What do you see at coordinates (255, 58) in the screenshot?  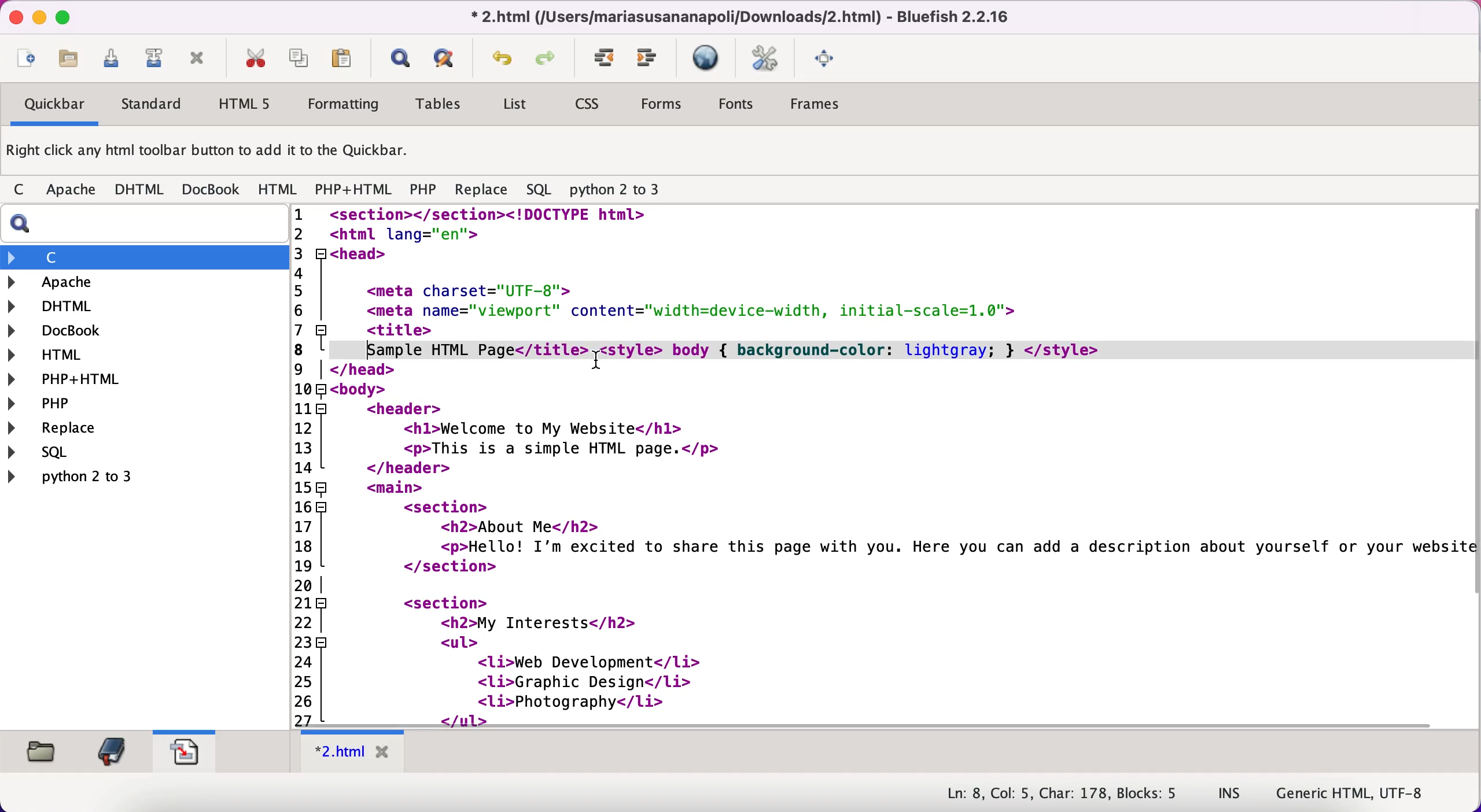 I see `cut` at bounding box center [255, 58].